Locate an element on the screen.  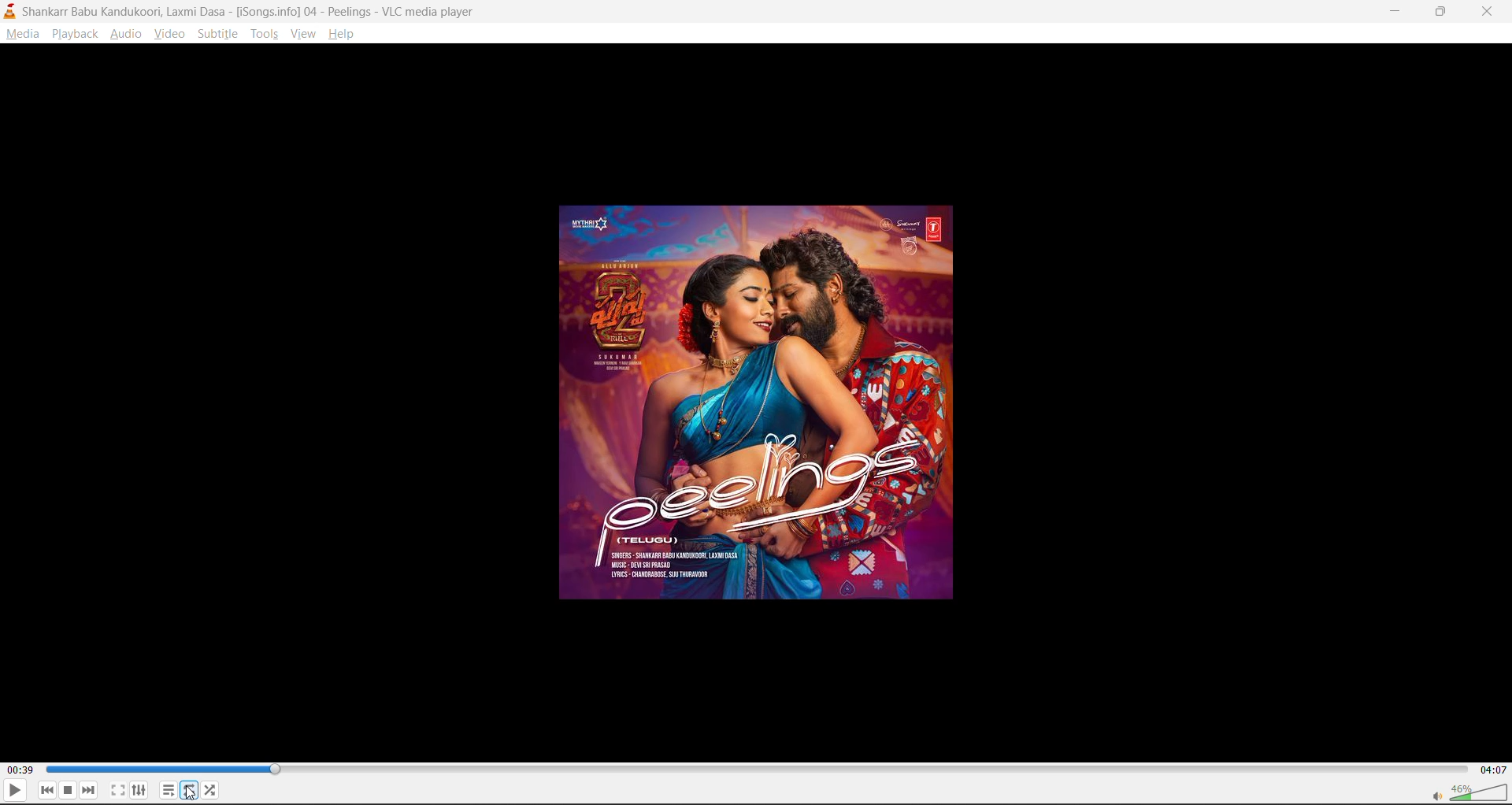
video is located at coordinates (170, 35).